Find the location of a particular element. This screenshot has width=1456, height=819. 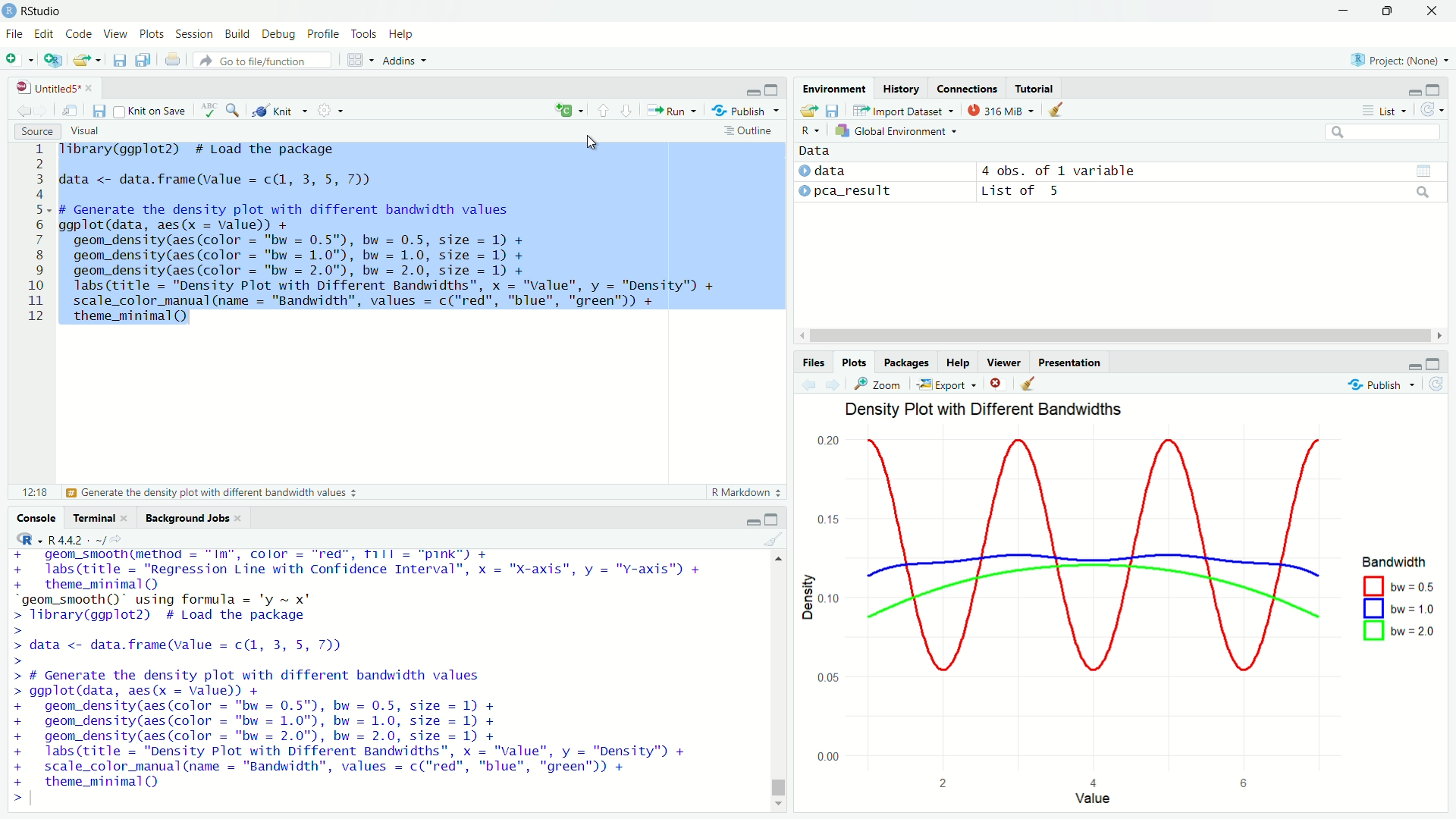

Generate the density plot with different bandwidth values is located at coordinates (210, 493).